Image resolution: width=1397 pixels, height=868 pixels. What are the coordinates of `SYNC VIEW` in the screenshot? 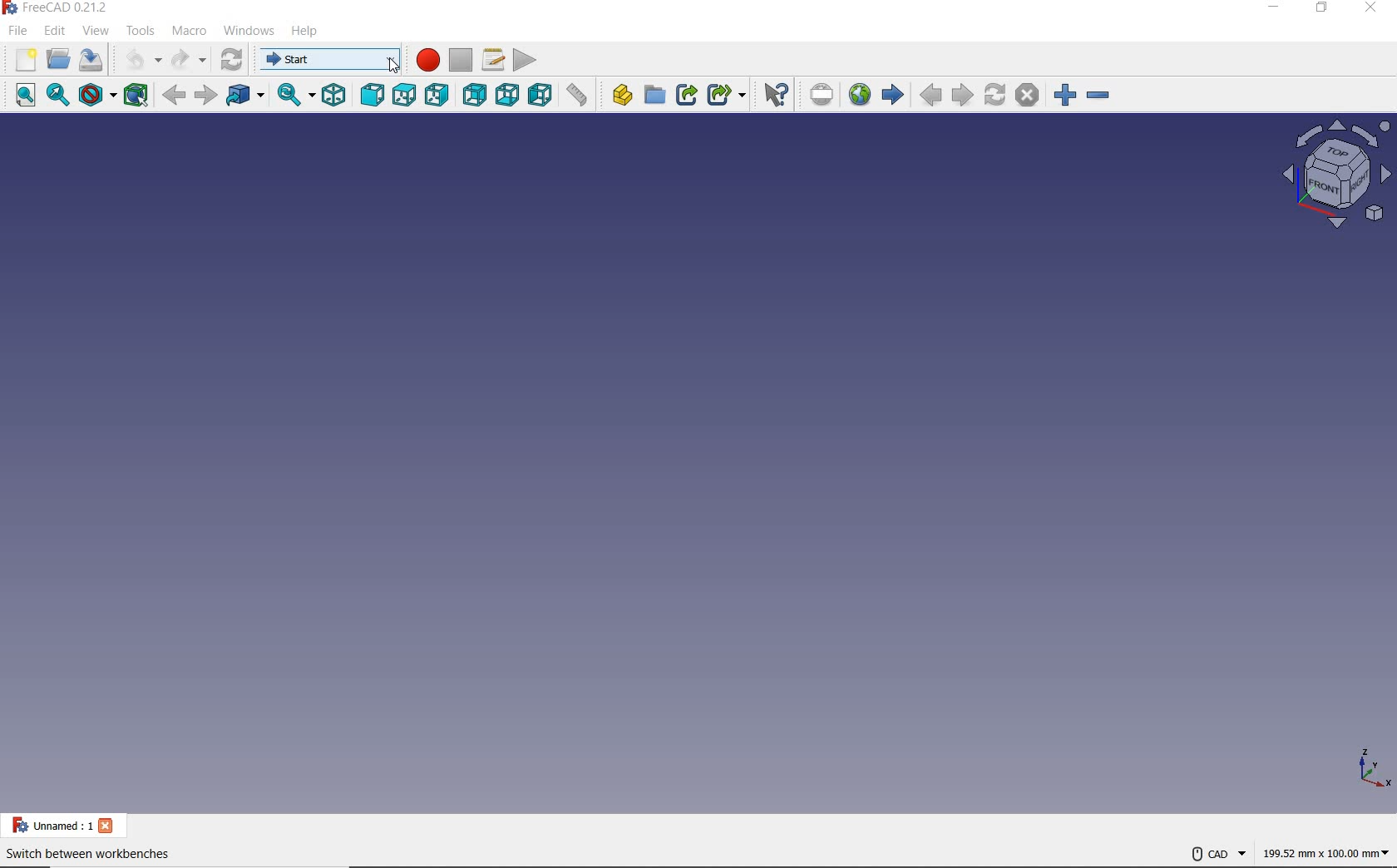 It's located at (295, 92).